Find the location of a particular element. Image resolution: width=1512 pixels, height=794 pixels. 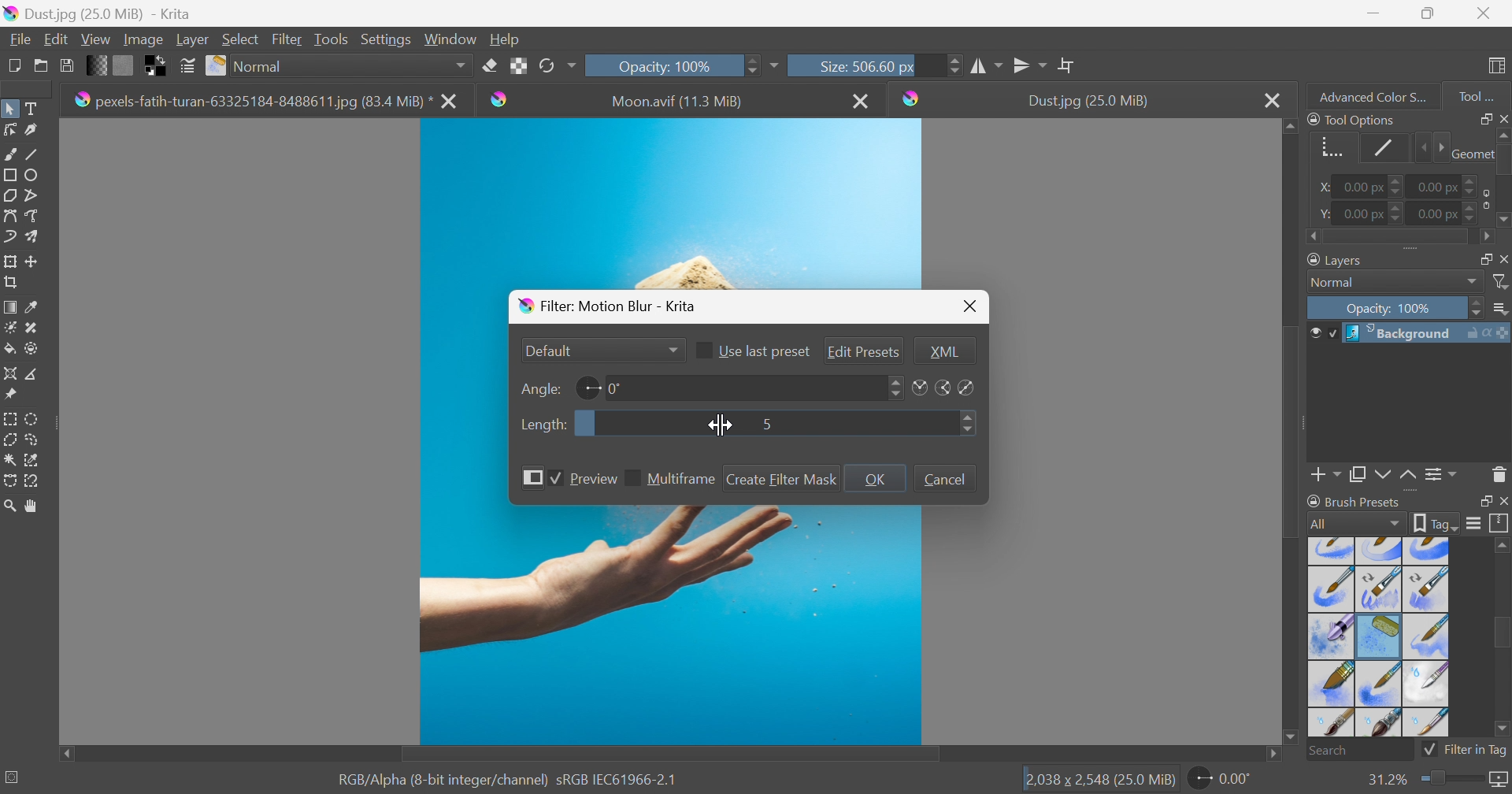

XML is located at coordinates (945, 351).